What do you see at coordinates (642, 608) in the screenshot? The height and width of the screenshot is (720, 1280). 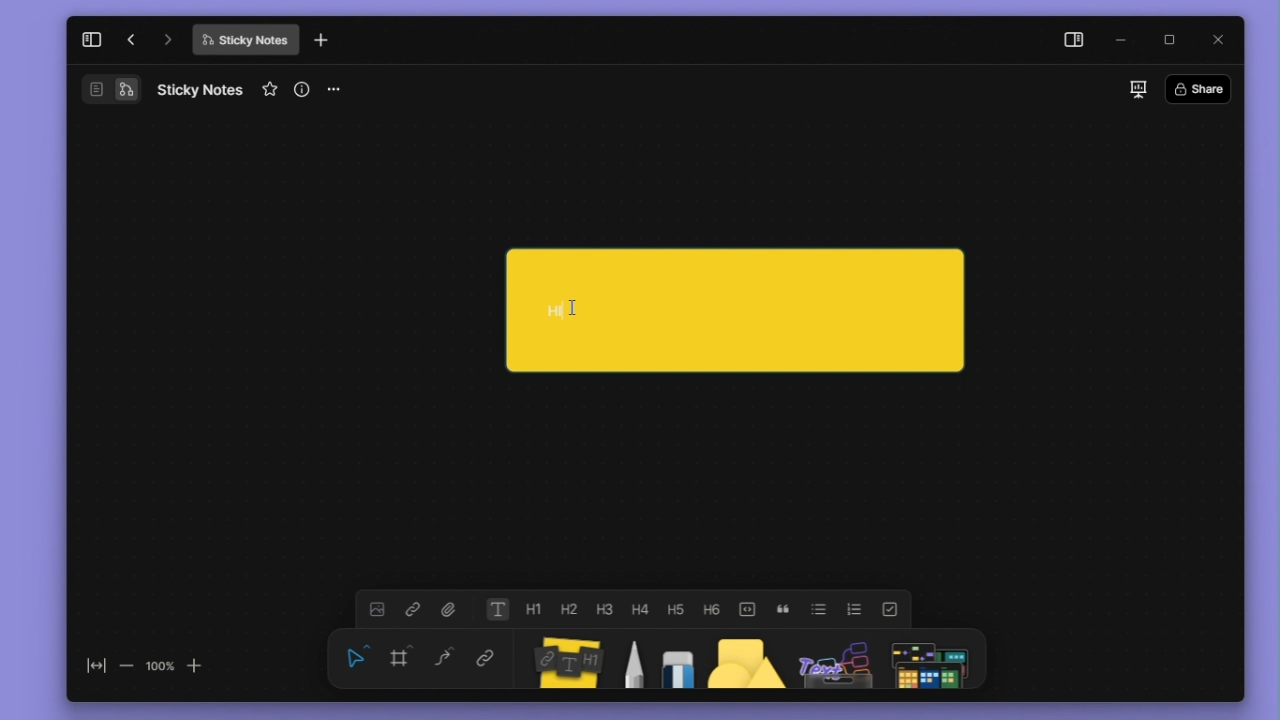 I see `heading` at bounding box center [642, 608].